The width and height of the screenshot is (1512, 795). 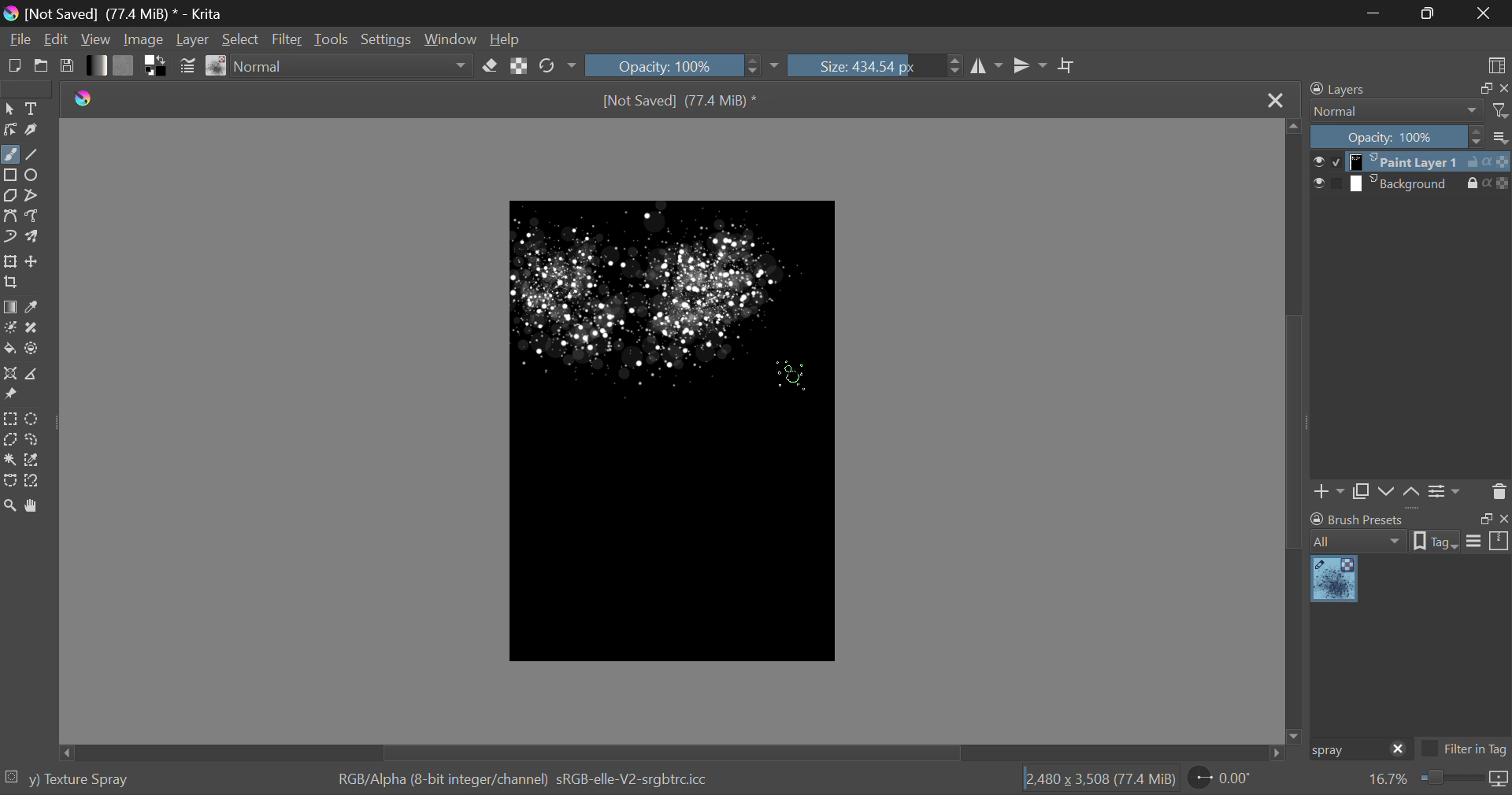 What do you see at coordinates (391, 38) in the screenshot?
I see `Settings` at bounding box center [391, 38].